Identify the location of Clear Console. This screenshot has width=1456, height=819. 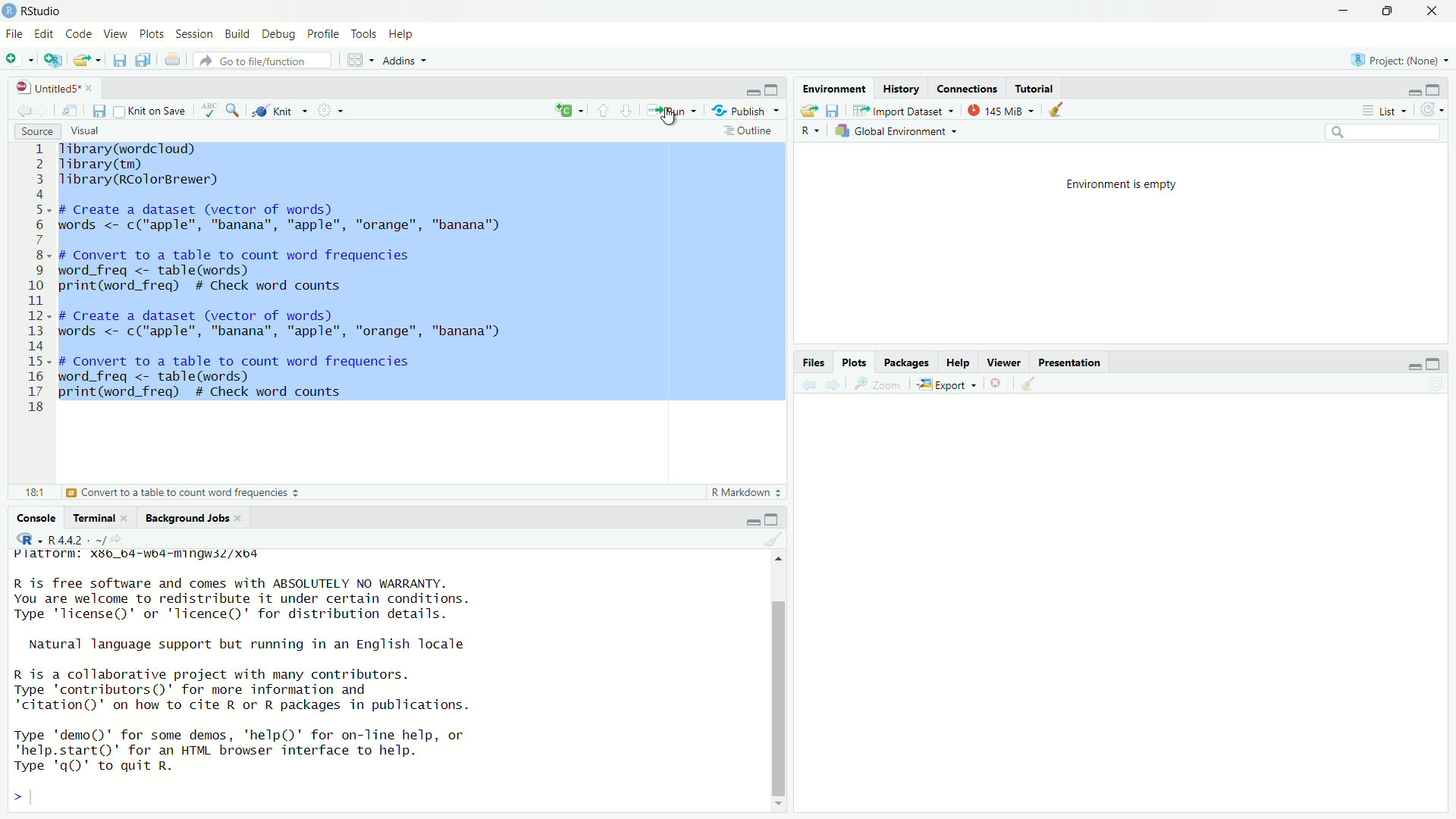
(1034, 383).